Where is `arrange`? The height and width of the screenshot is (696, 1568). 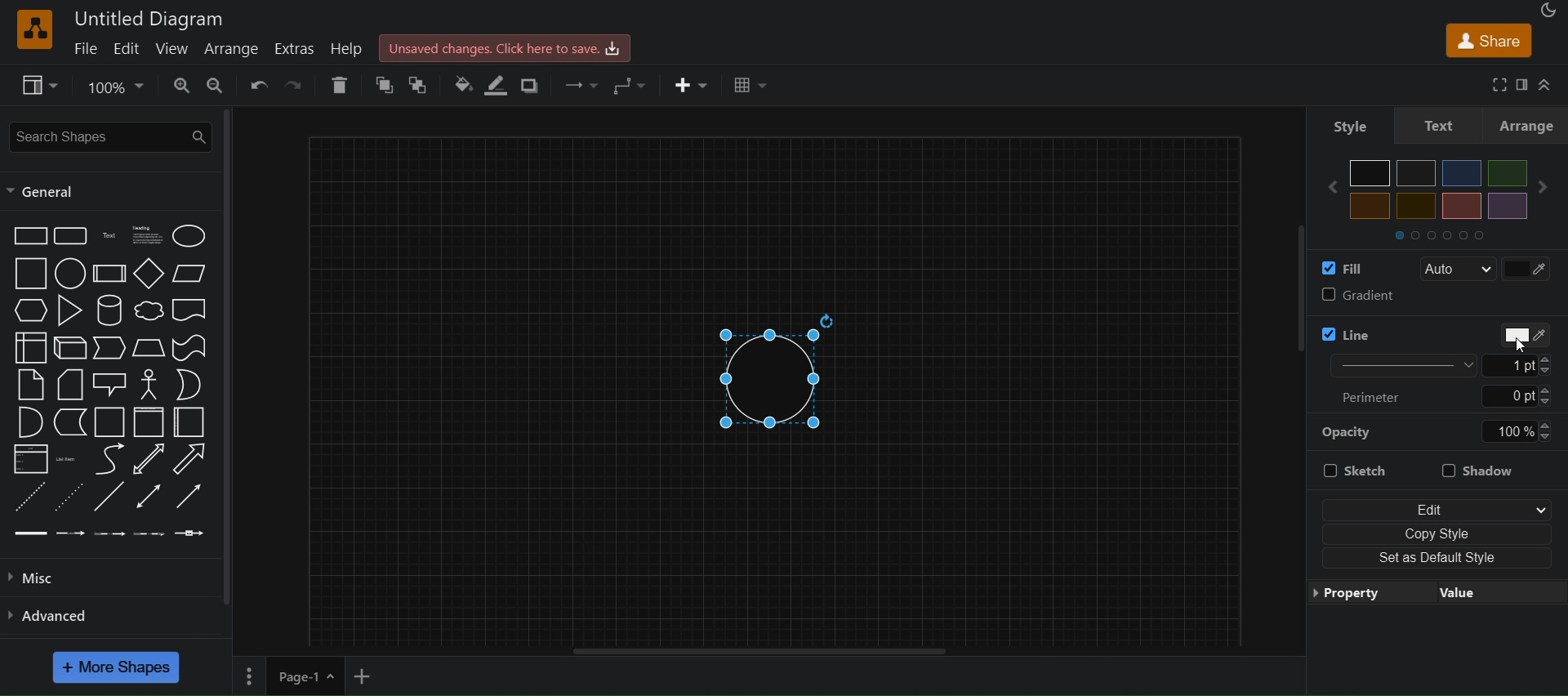 arrange is located at coordinates (236, 50).